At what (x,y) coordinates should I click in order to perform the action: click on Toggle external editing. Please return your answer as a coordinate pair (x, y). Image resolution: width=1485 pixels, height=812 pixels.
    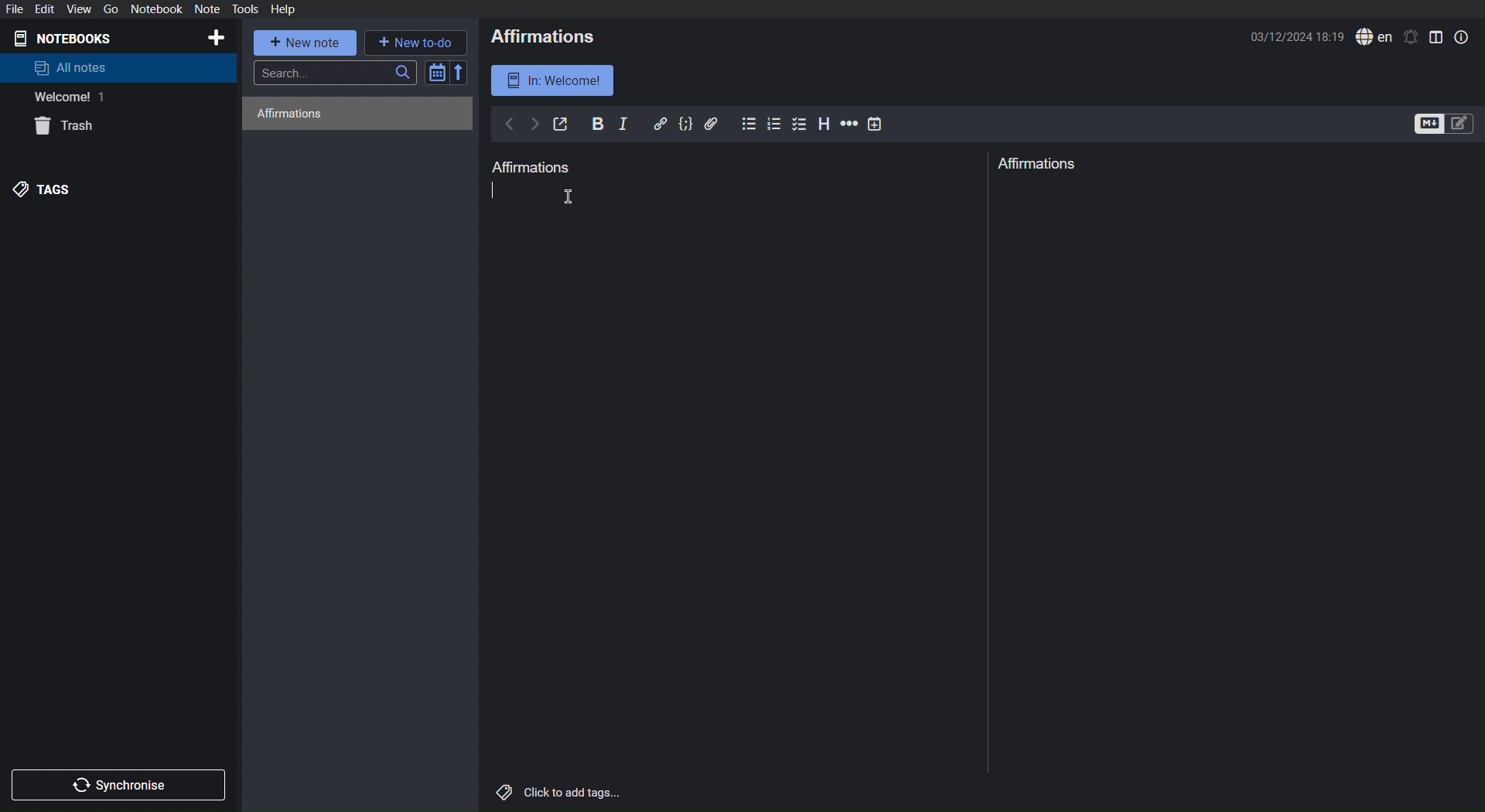
    Looking at the image, I should click on (562, 125).